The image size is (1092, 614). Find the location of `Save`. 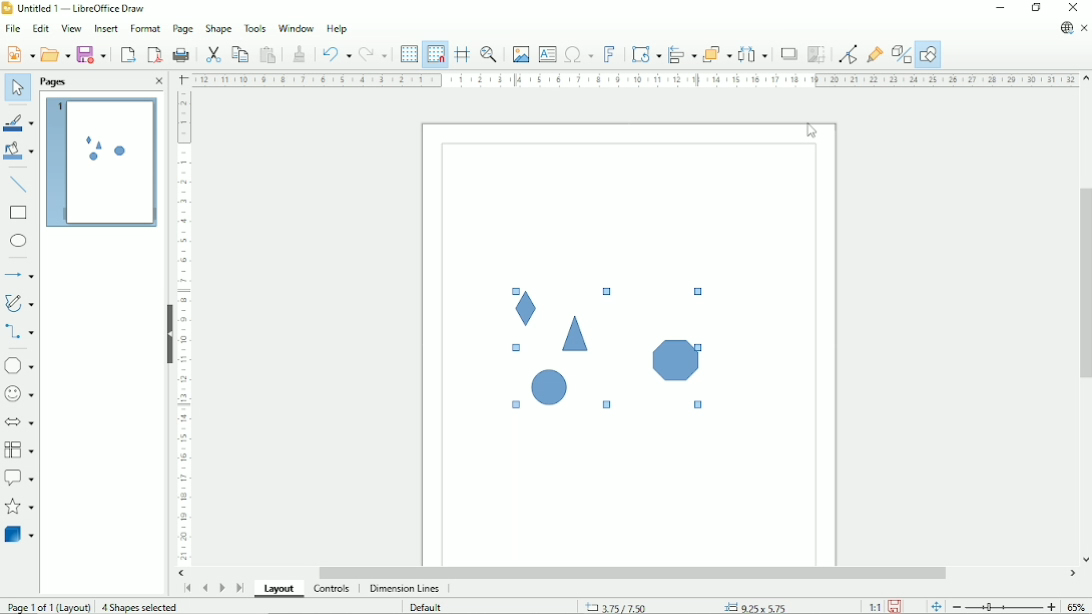

Save is located at coordinates (92, 54).